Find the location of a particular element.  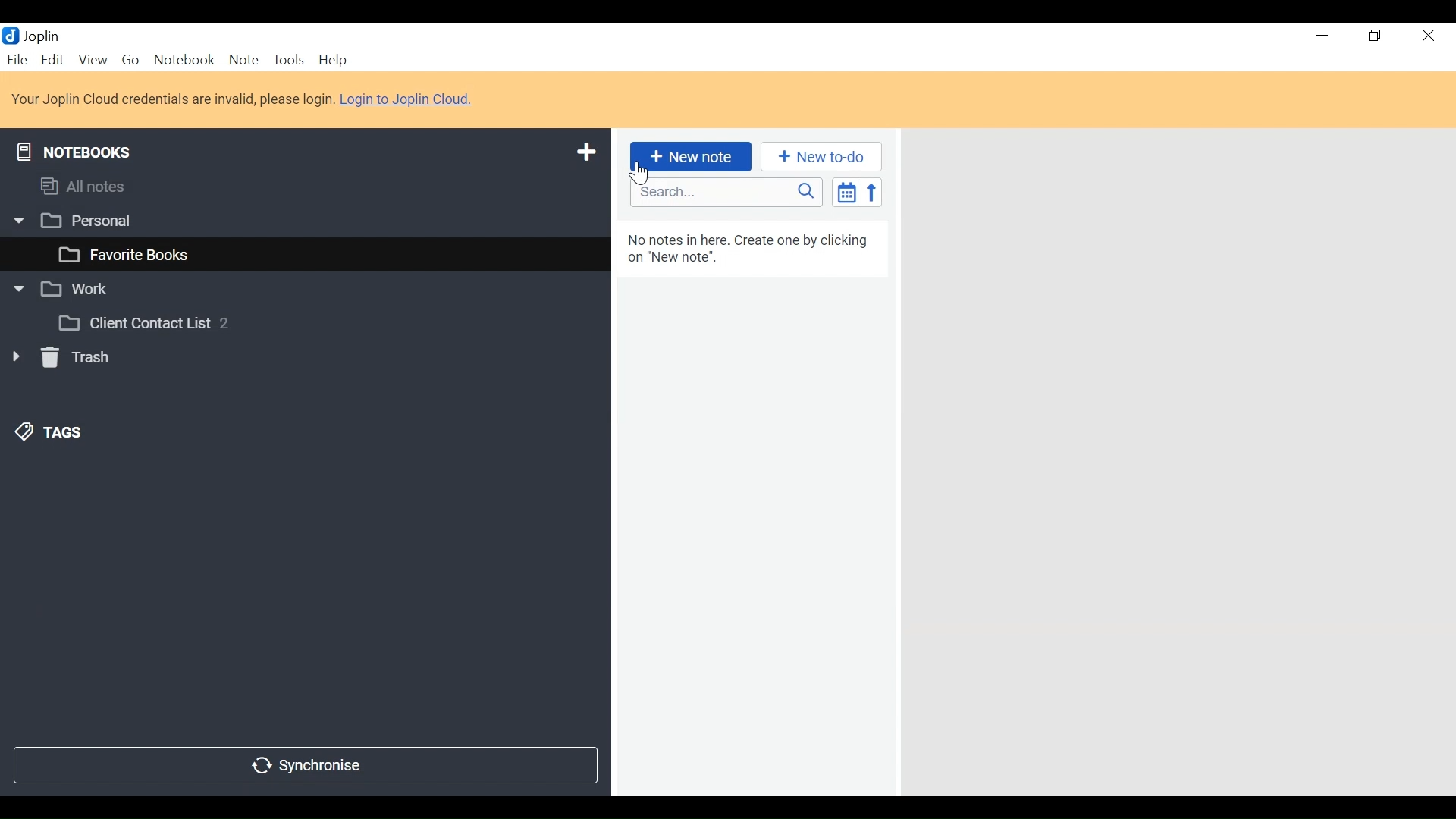

Cursor is located at coordinates (639, 173).